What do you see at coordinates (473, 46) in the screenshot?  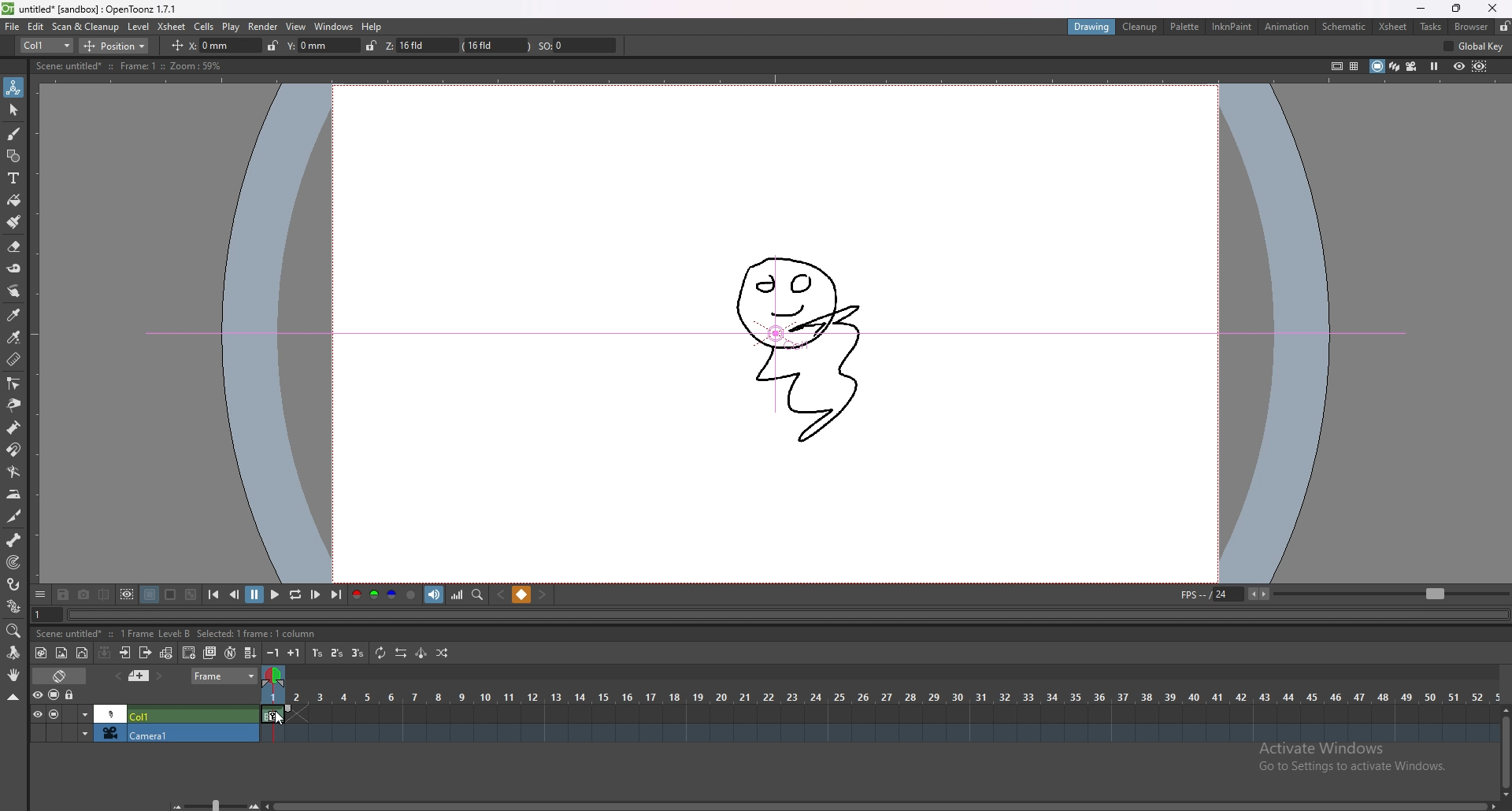 I see `Z coordinates` at bounding box center [473, 46].